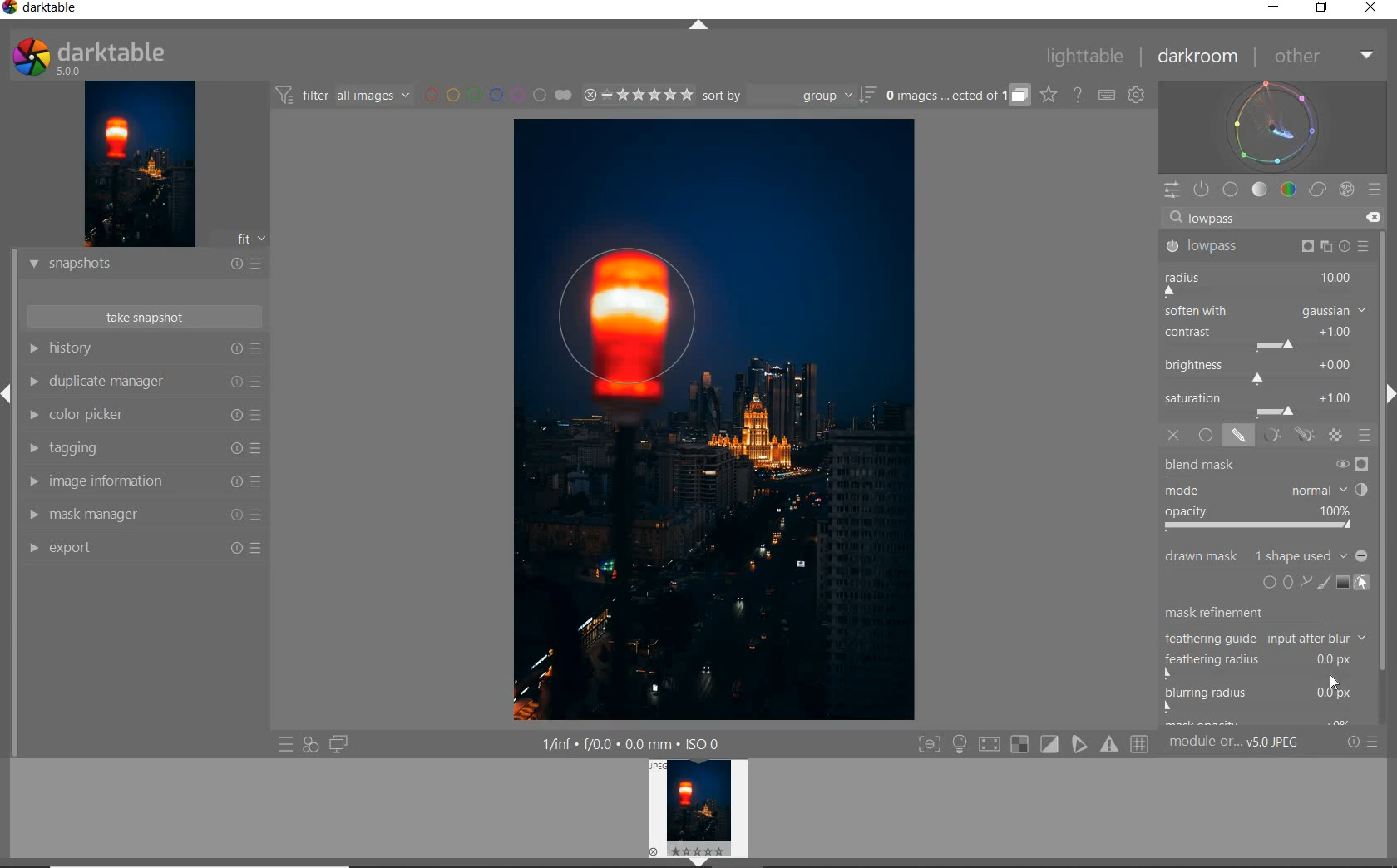 Image resolution: width=1397 pixels, height=868 pixels. Describe the element at coordinates (1270, 663) in the screenshot. I see `MASK REFINEMENT` at that location.